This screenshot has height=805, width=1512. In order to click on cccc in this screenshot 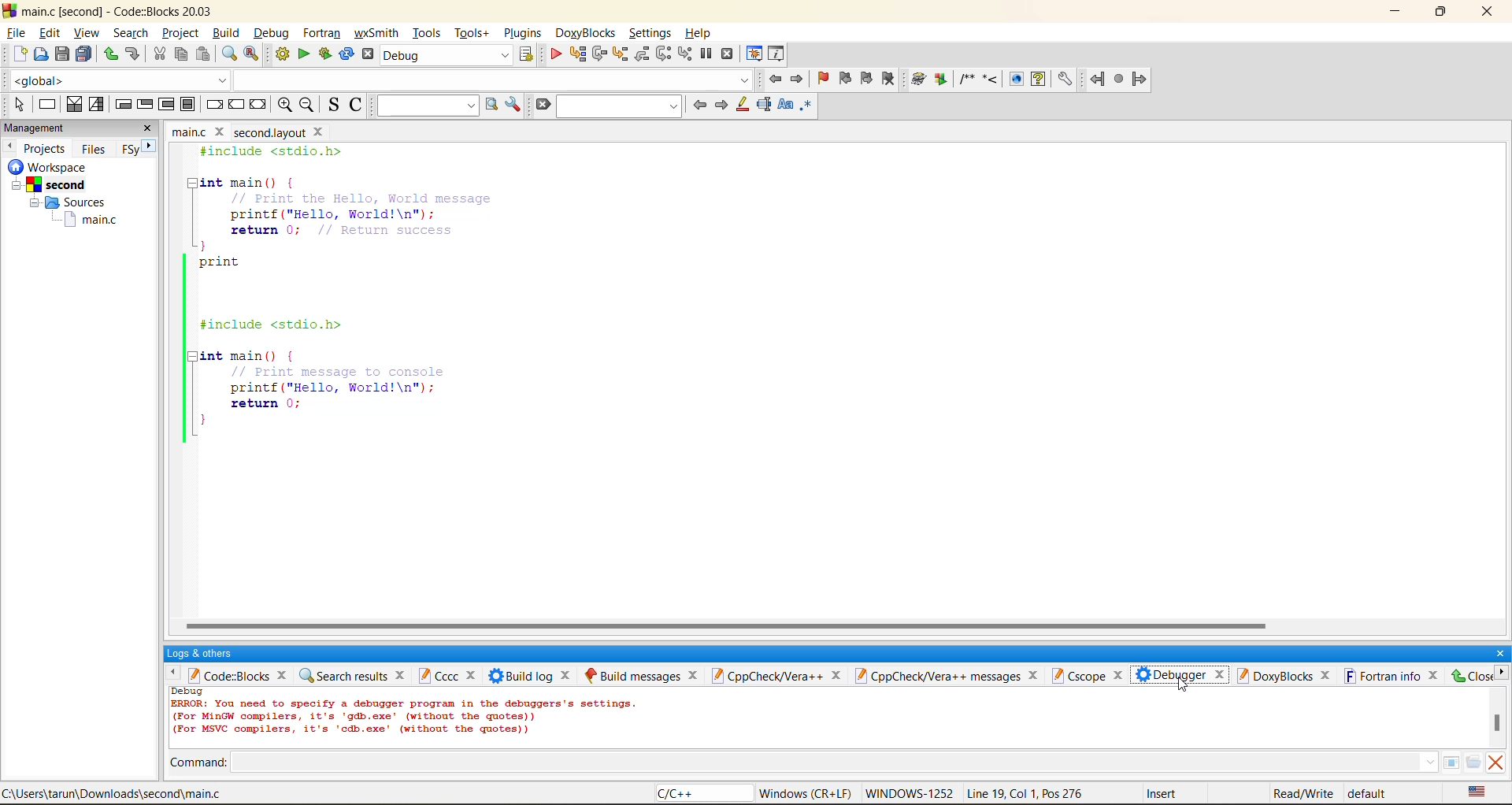, I will do `click(447, 674)`.